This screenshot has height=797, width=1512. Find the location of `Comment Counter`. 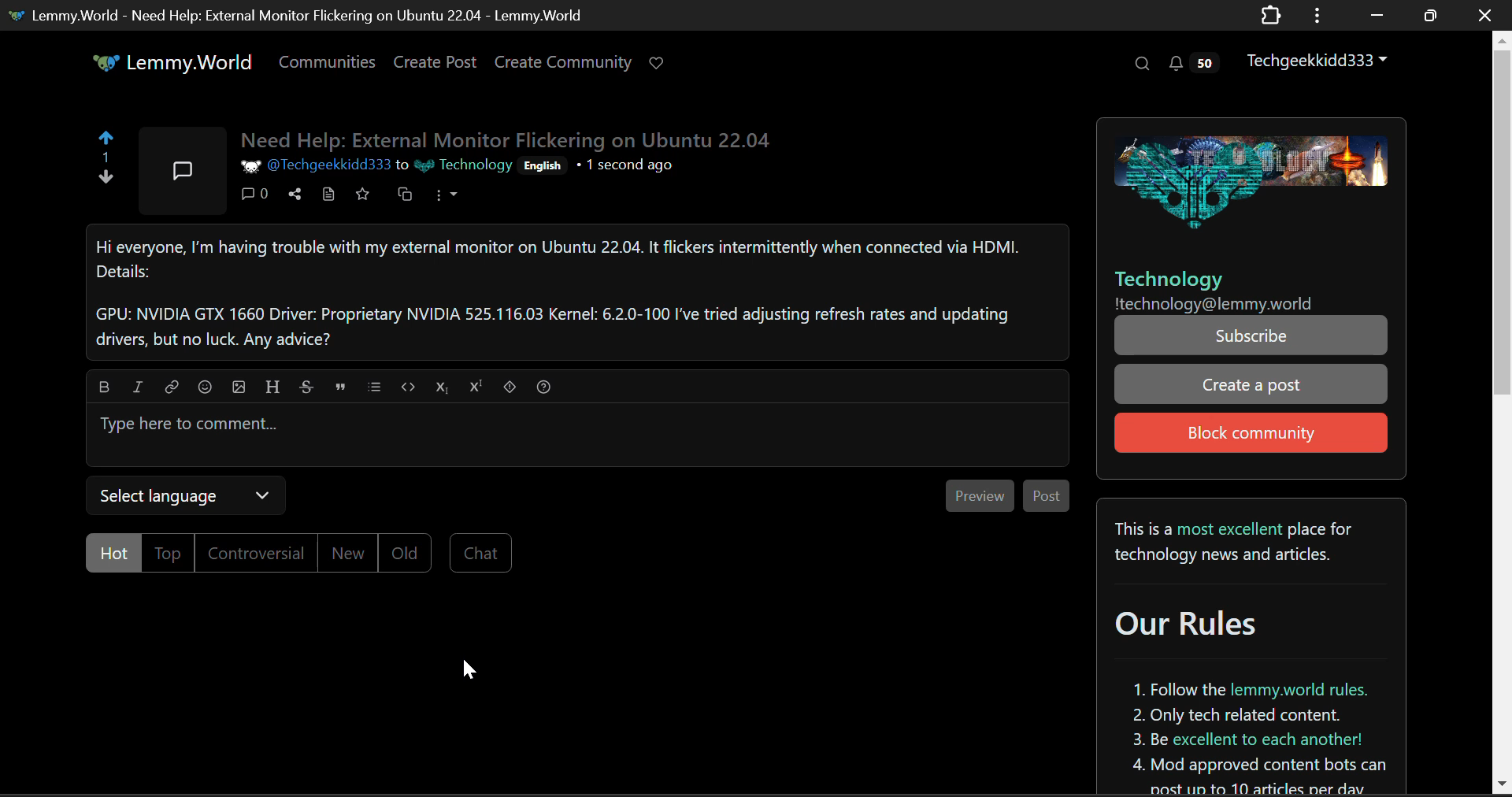

Comment Counter is located at coordinates (258, 196).